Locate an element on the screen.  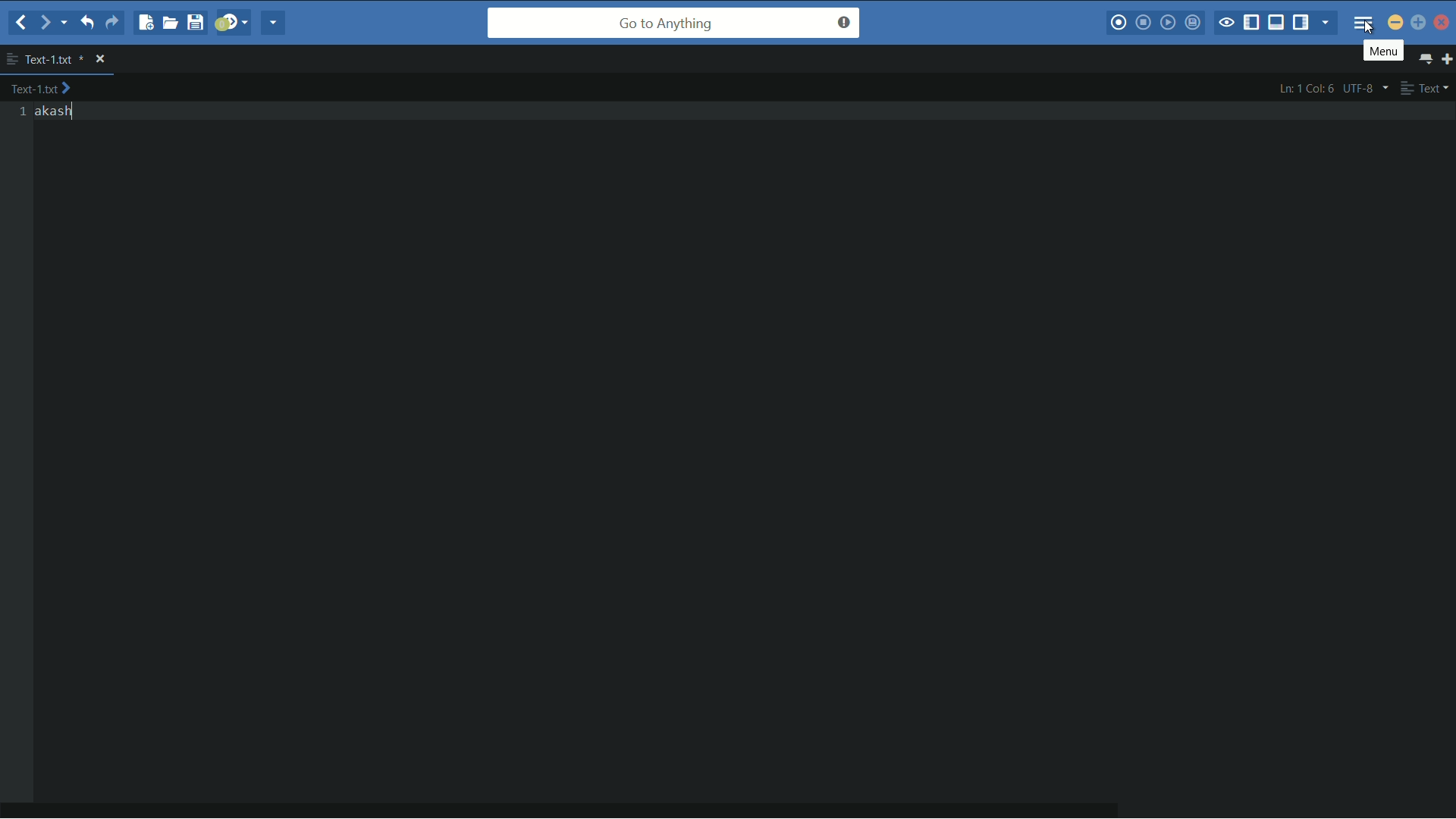
line encoding is located at coordinates (1361, 87).